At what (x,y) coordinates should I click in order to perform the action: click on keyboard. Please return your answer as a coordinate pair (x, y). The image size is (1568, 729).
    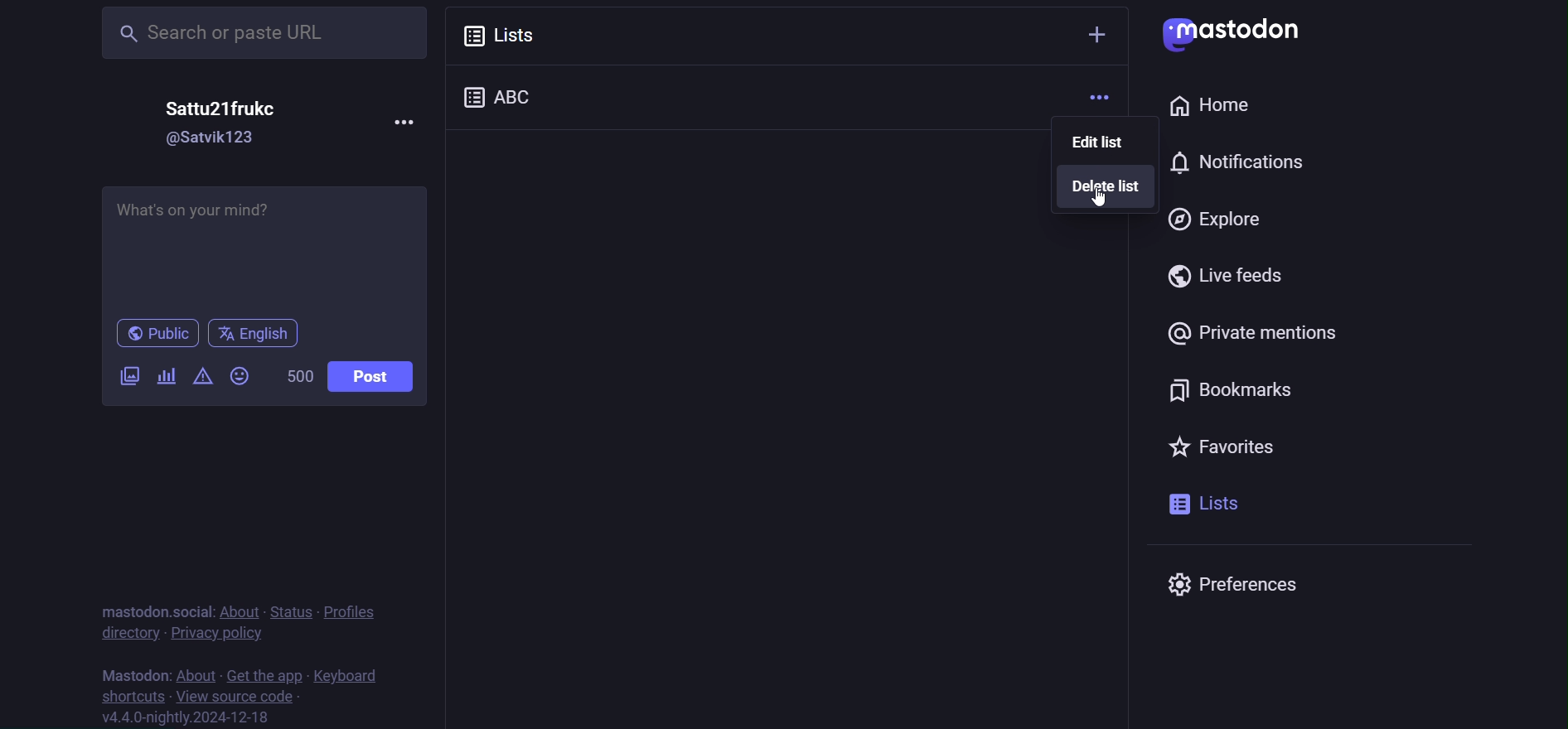
    Looking at the image, I should click on (356, 673).